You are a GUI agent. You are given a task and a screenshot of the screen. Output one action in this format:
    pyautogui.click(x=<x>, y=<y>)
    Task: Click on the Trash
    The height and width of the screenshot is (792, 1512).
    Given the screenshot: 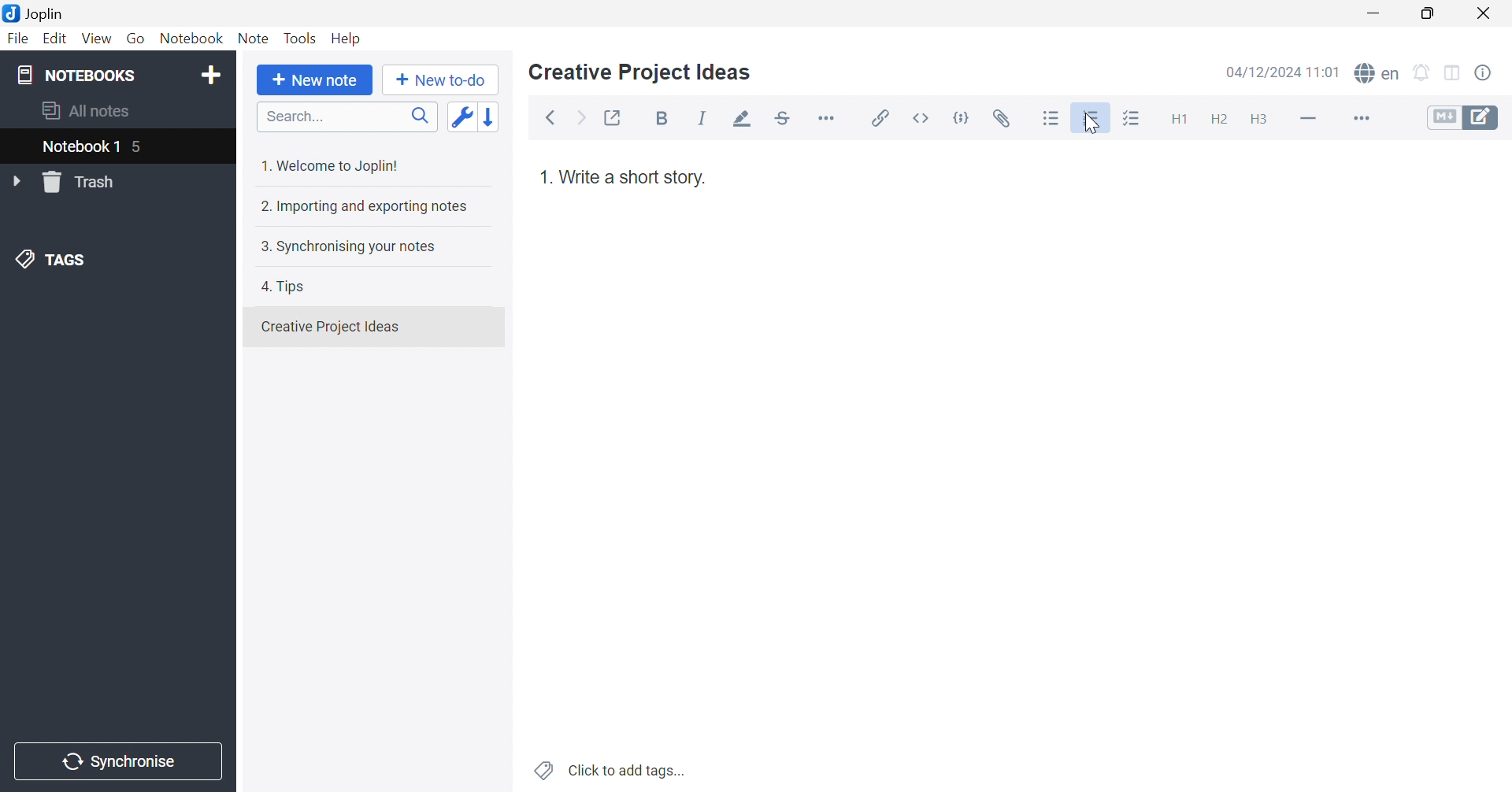 What is the action you would take?
    pyautogui.click(x=84, y=183)
    